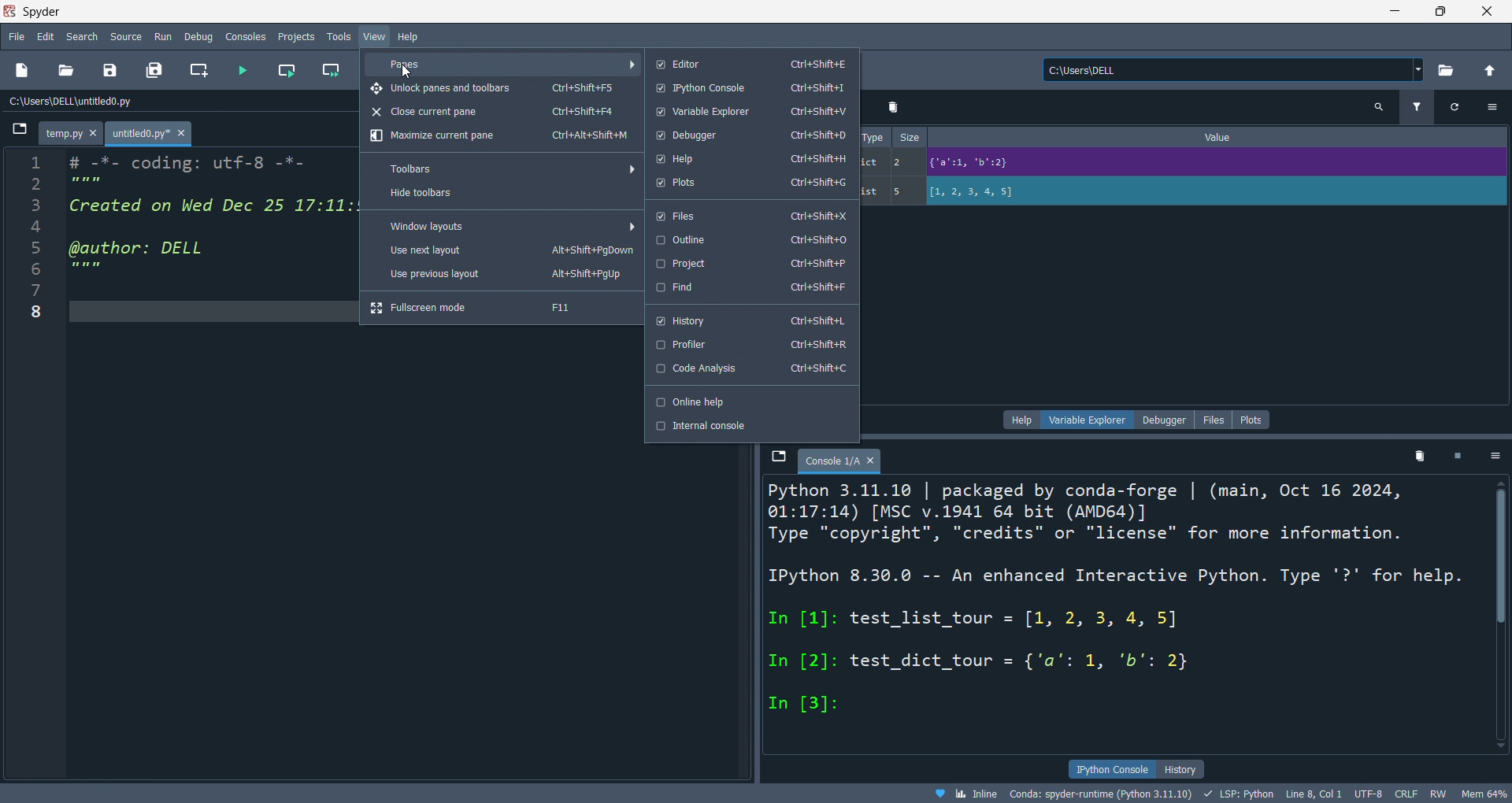  What do you see at coordinates (1496, 457) in the screenshot?
I see `options` at bounding box center [1496, 457].